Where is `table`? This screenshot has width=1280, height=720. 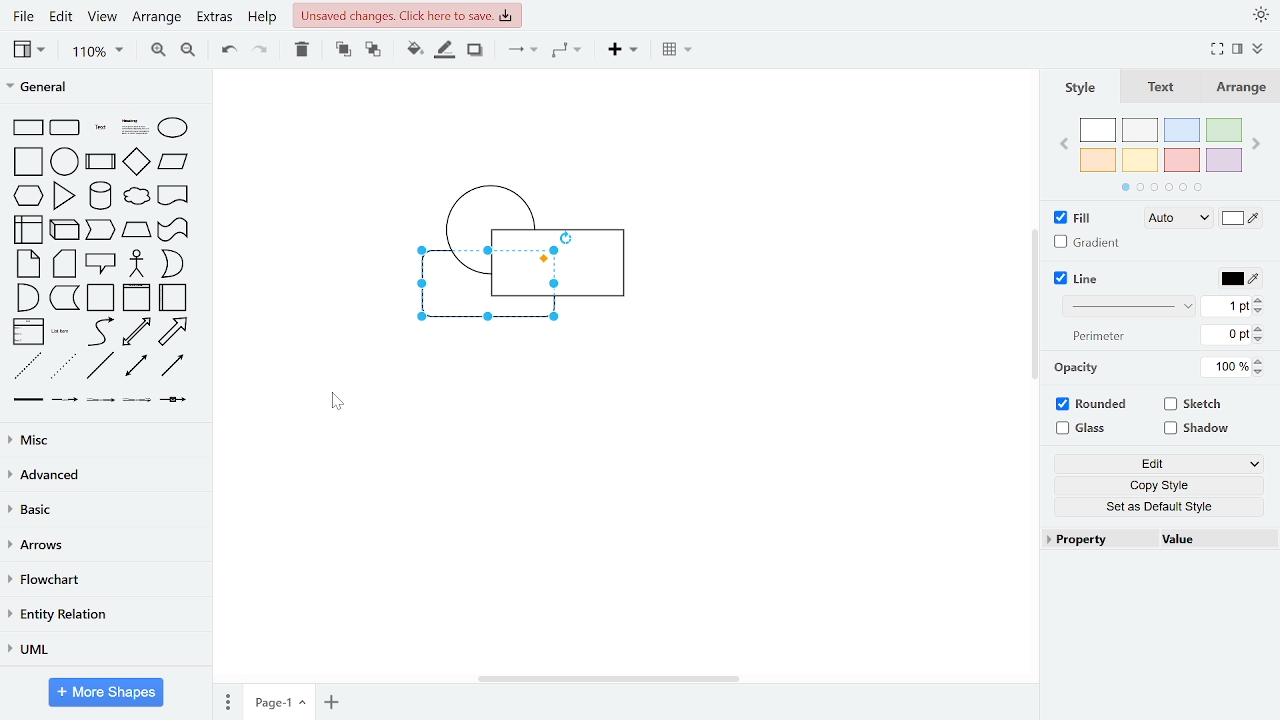 table is located at coordinates (680, 52).